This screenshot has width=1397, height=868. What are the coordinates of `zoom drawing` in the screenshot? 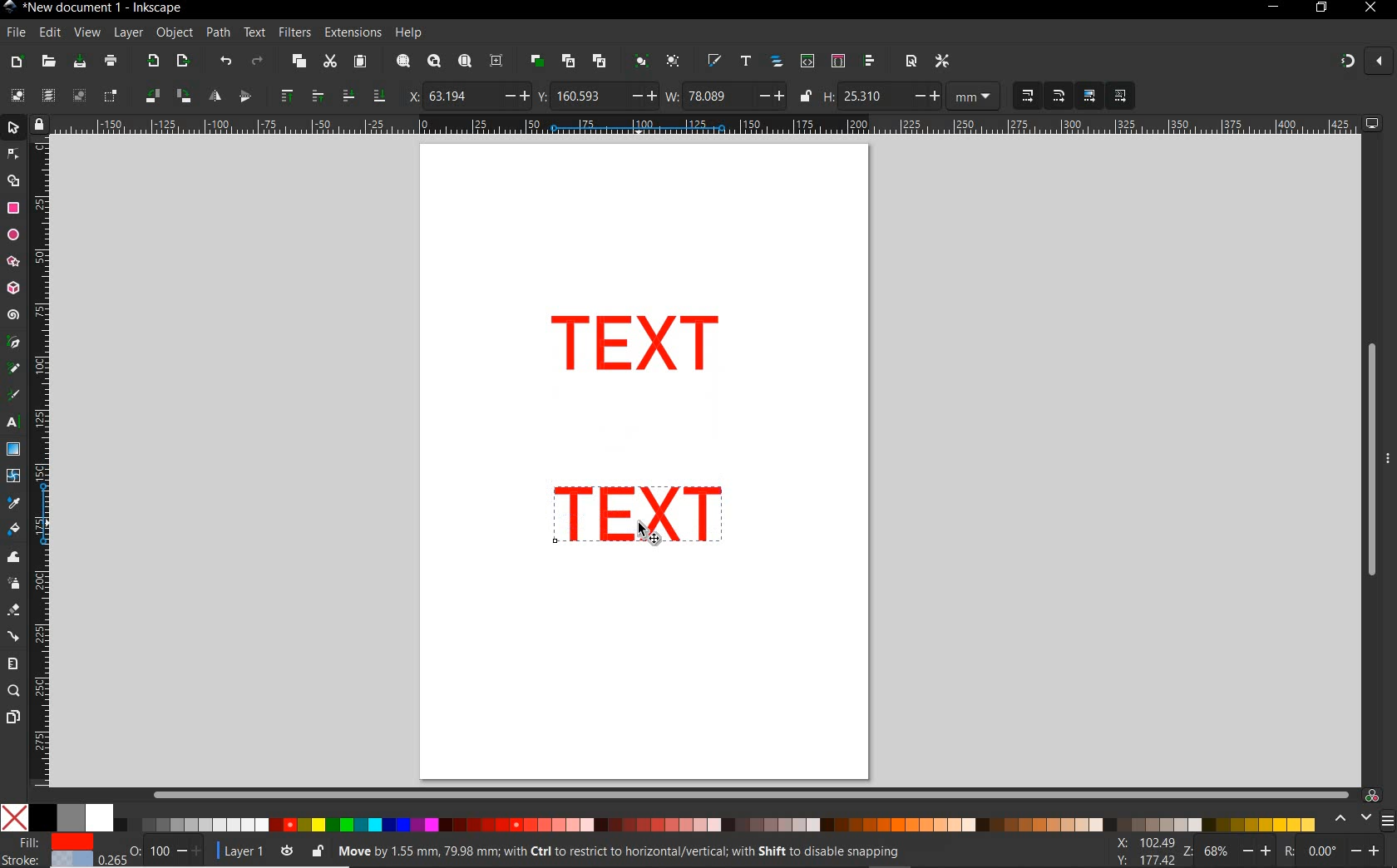 It's located at (433, 63).